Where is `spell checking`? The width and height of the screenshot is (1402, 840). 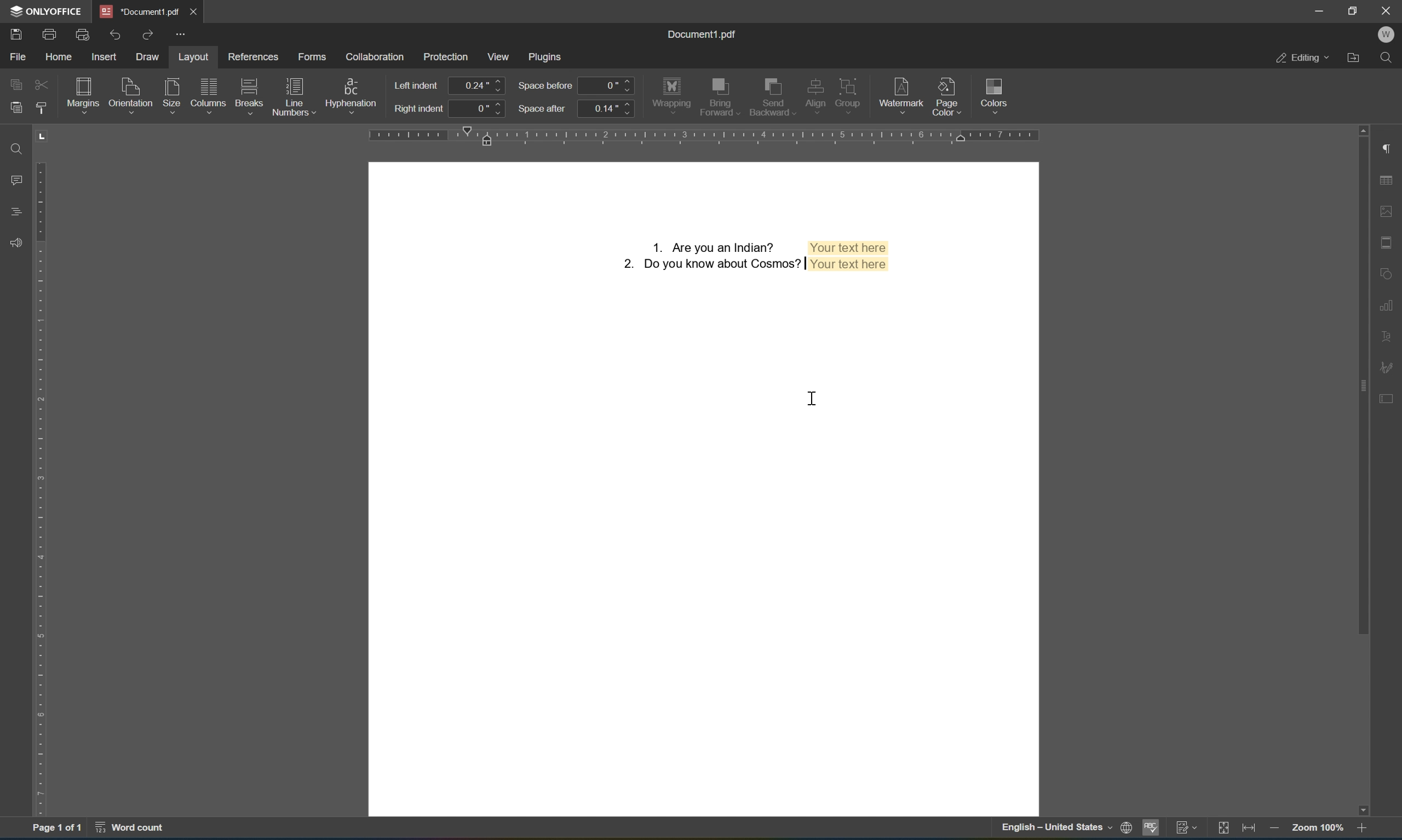
spell checking is located at coordinates (1152, 829).